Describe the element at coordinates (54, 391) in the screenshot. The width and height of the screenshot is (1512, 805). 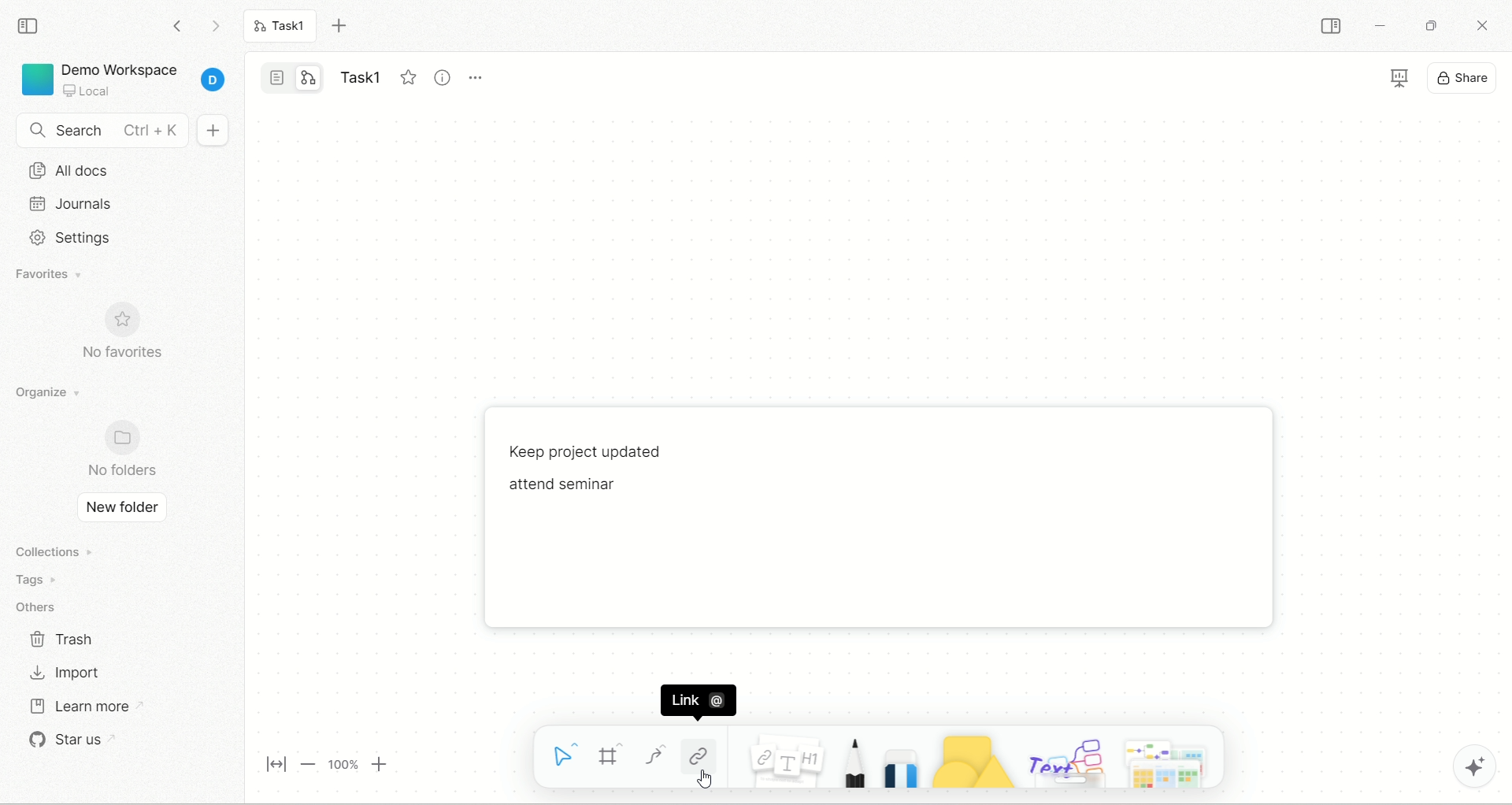
I see `organize` at that location.